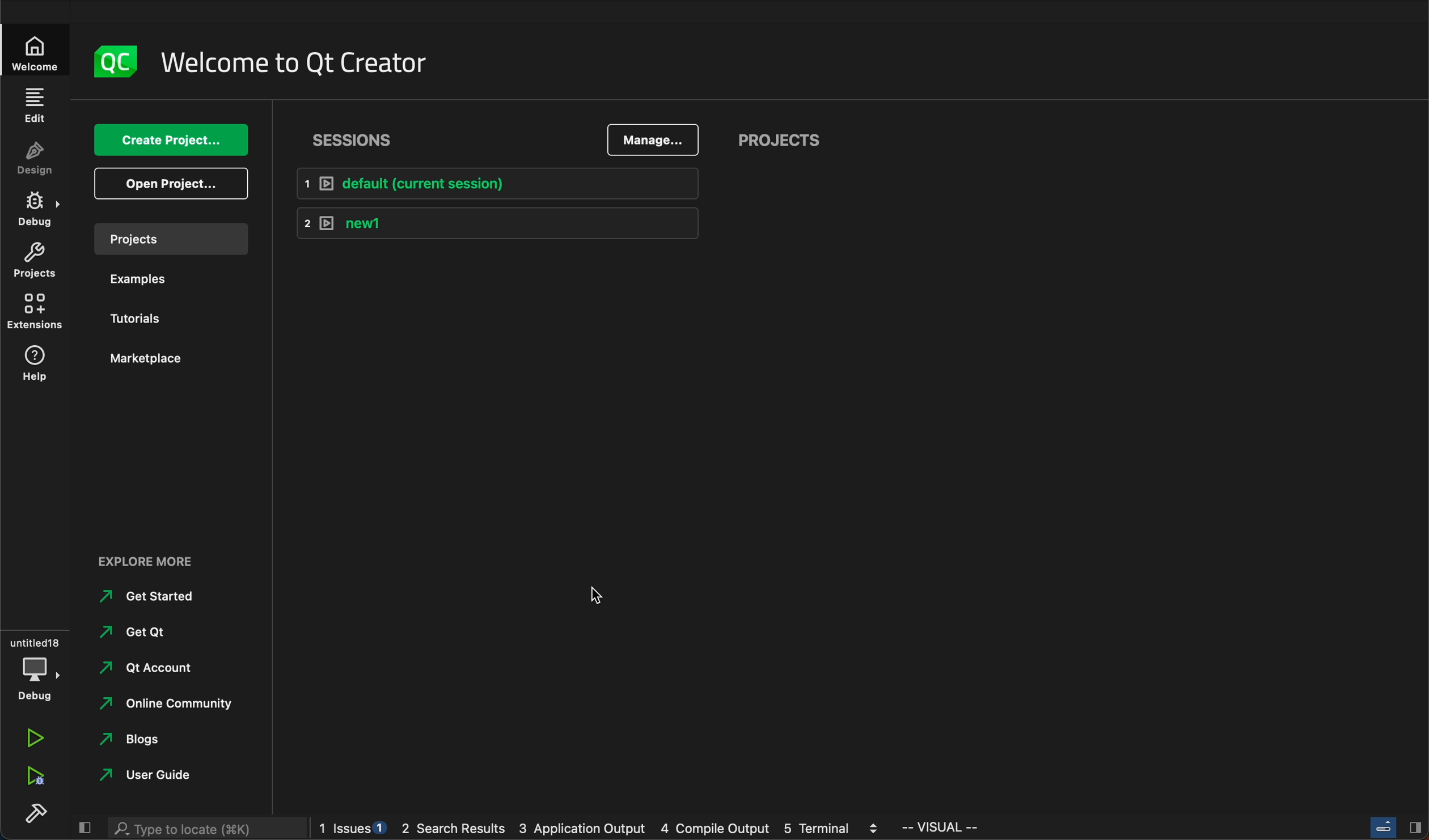 This screenshot has width=1429, height=840. I want to click on manage, so click(648, 141).